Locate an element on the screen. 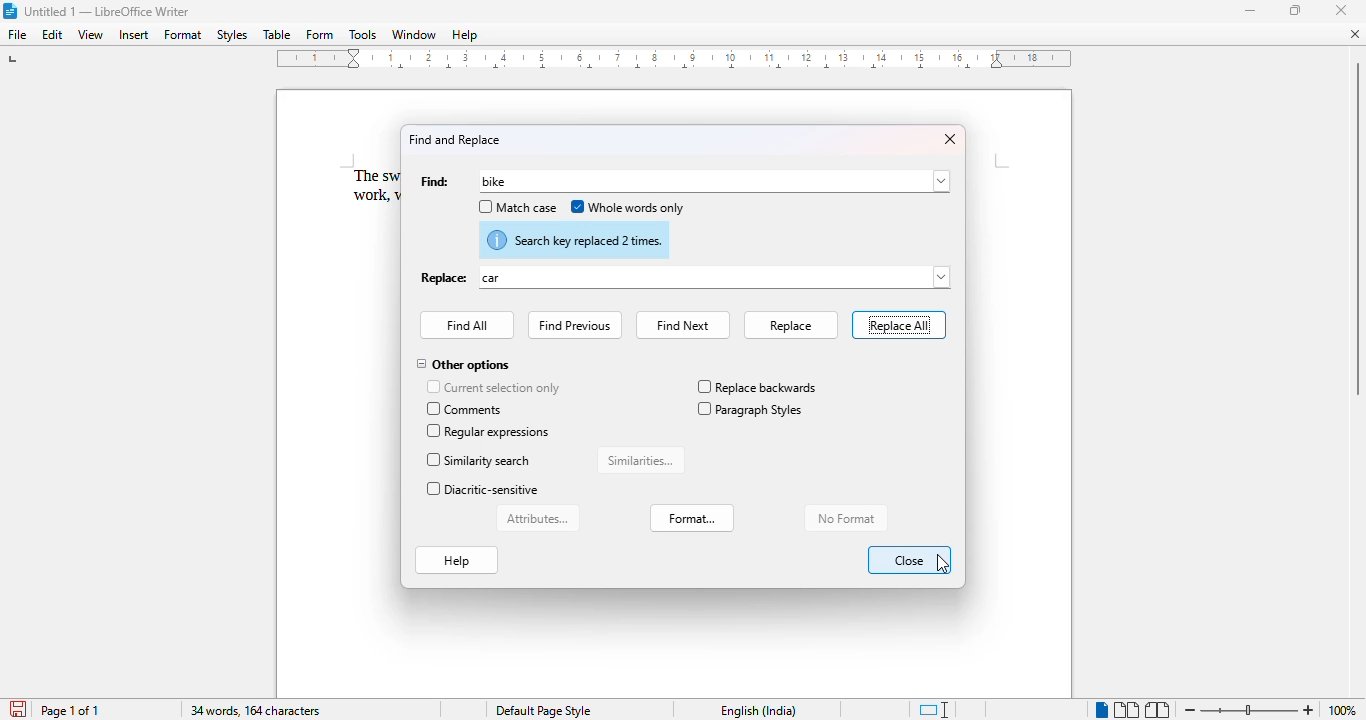 The height and width of the screenshot is (720, 1366). save document is located at coordinates (16, 709).